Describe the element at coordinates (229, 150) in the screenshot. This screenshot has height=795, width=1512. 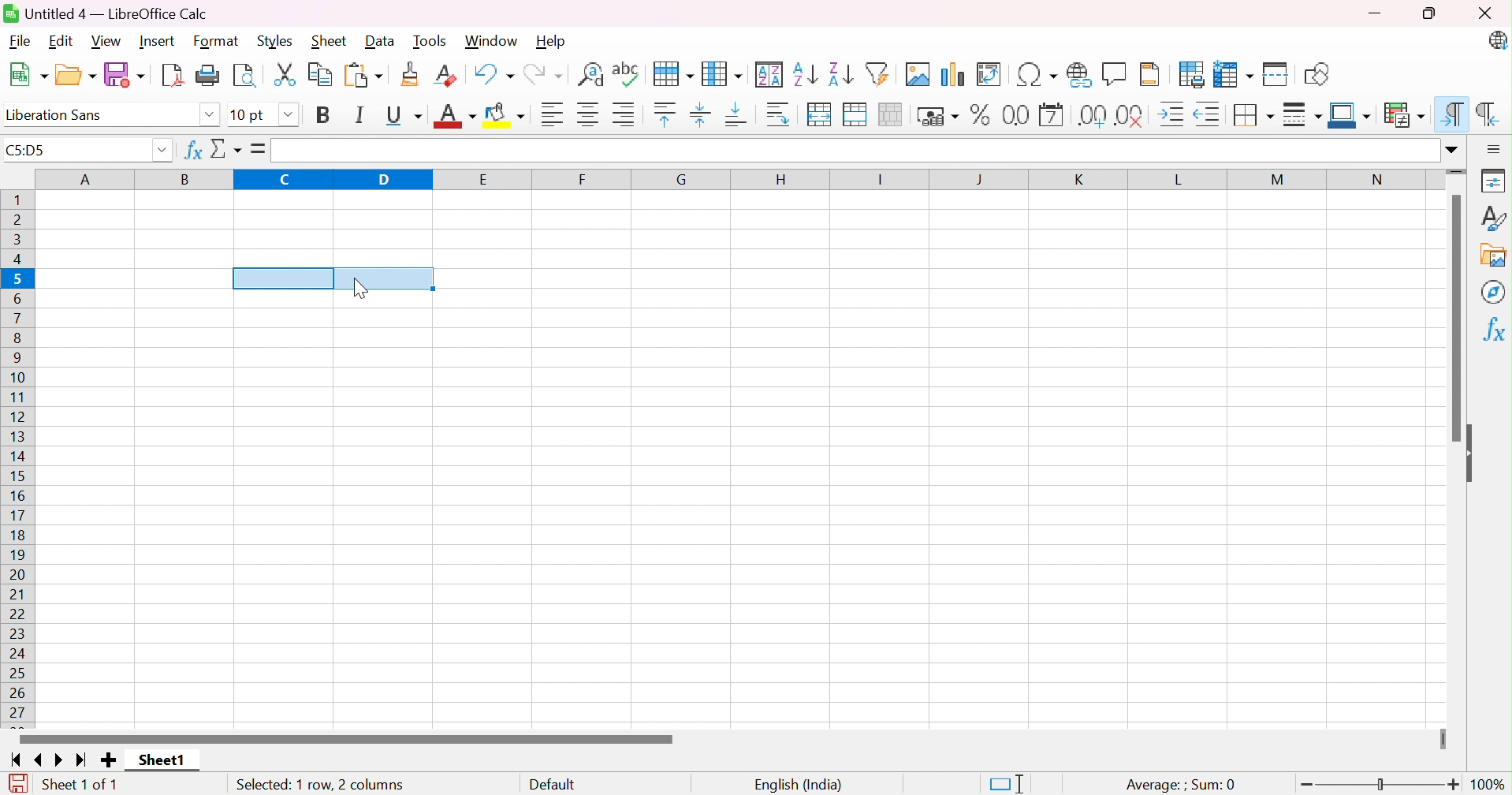
I see `Select Function` at that location.